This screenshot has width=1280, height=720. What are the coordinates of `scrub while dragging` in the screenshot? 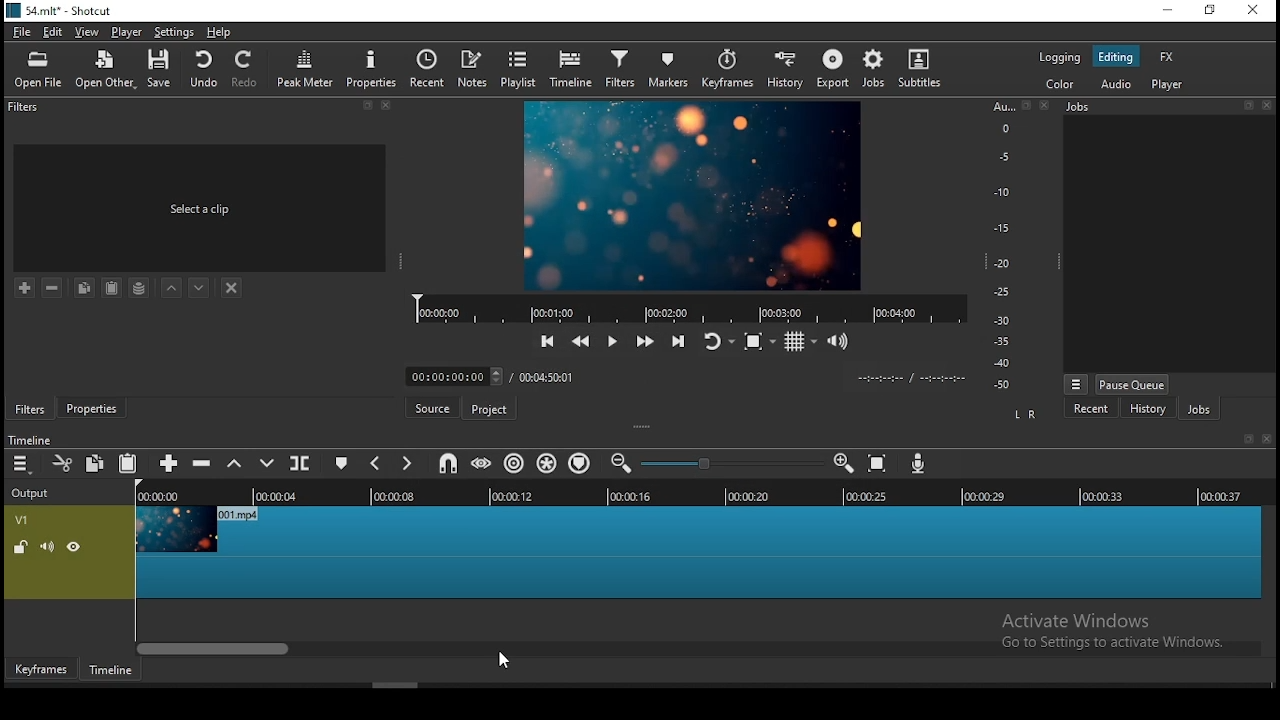 It's located at (483, 464).